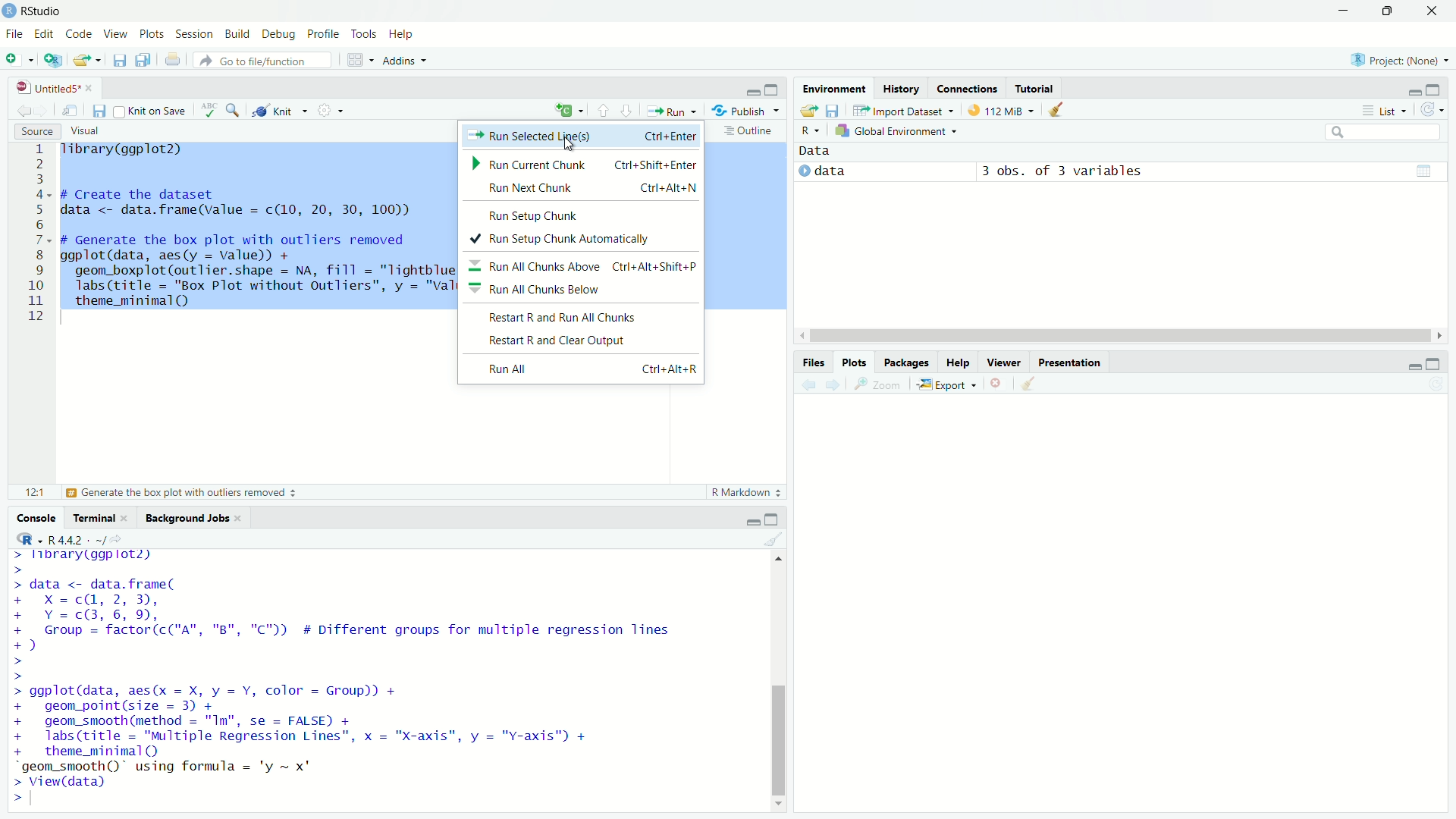 This screenshot has width=1456, height=819. Describe the element at coordinates (849, 362) in the screenshot. I see `Plots` at that location.